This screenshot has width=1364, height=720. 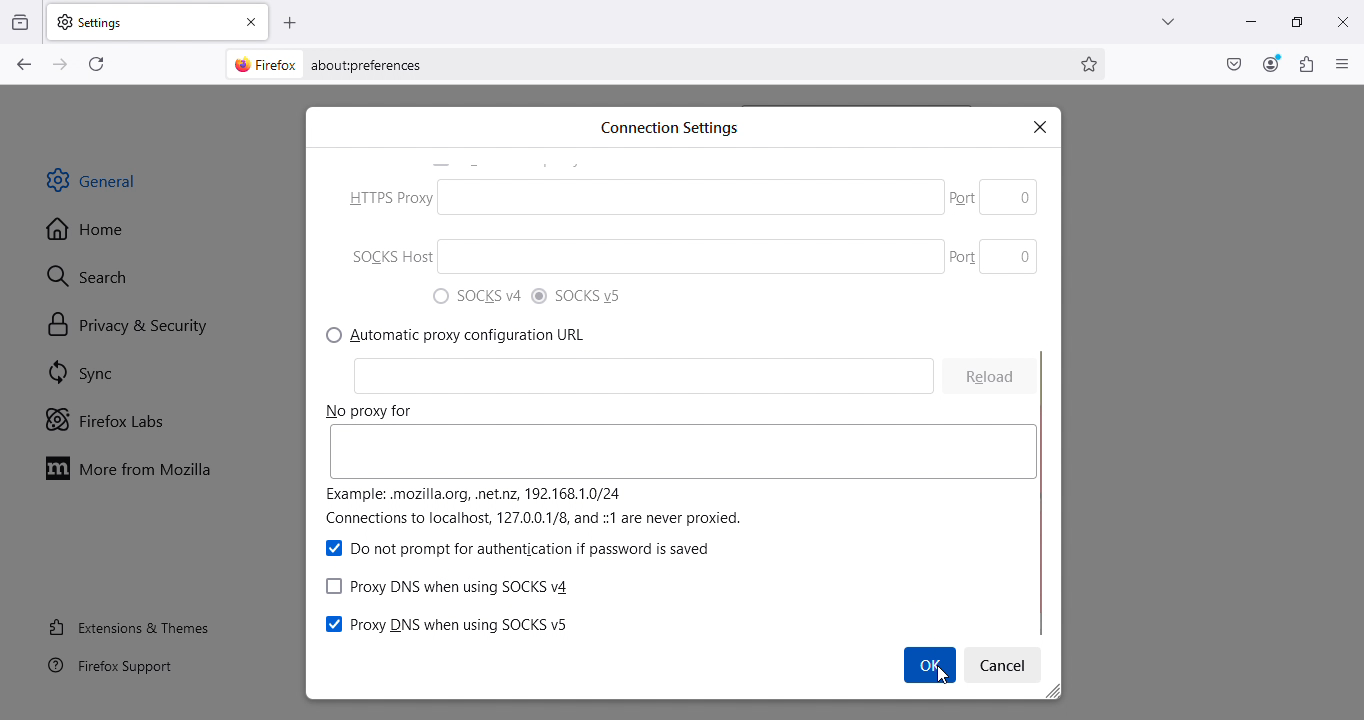 I want to click on 7) Manual proxy configuration, so click(x=461, y=335).